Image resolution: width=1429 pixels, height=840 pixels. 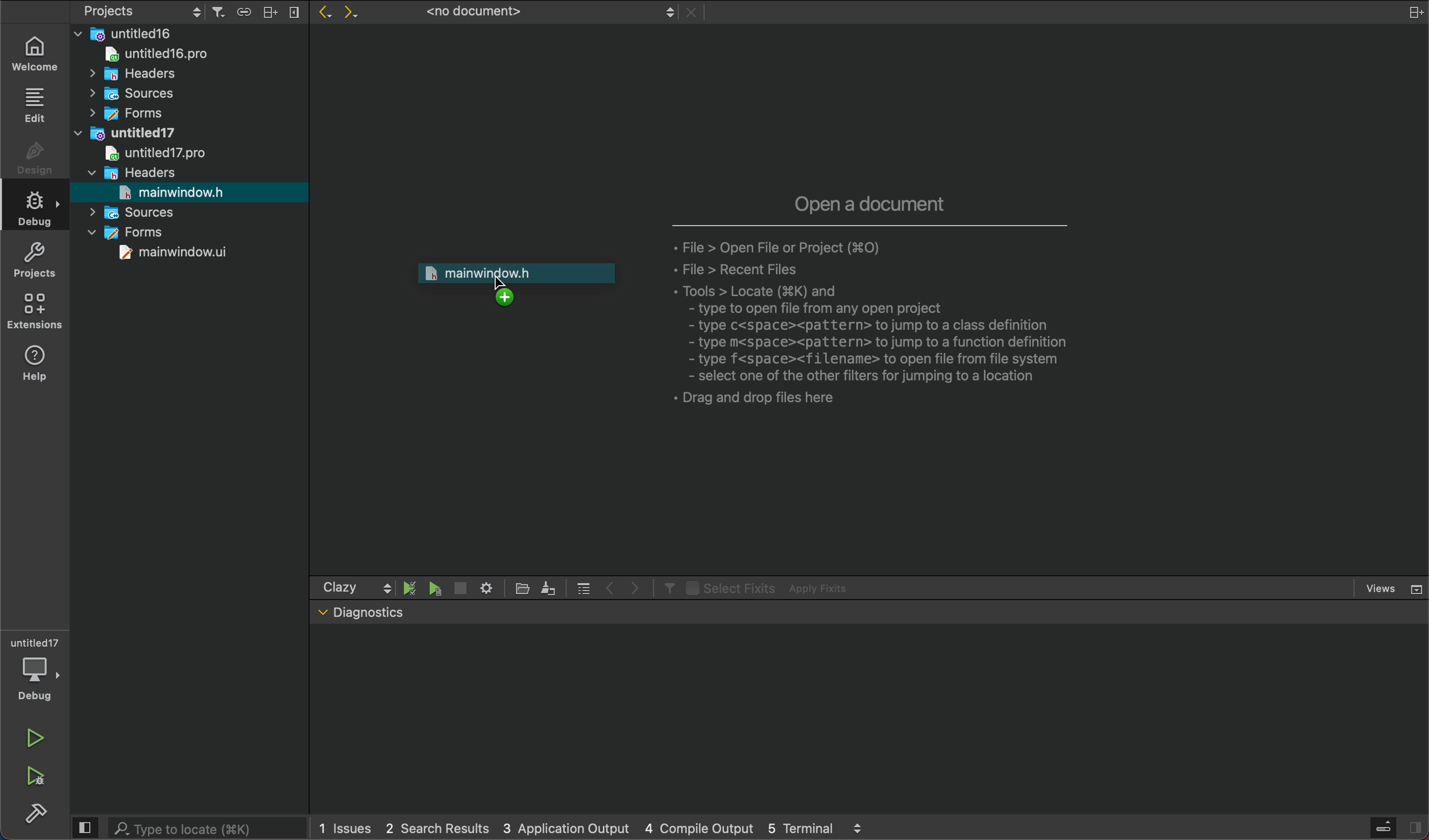 What do you see at coordinates (43, 369) in the screenshot?
I see `help` at bounding box center [43, 369].